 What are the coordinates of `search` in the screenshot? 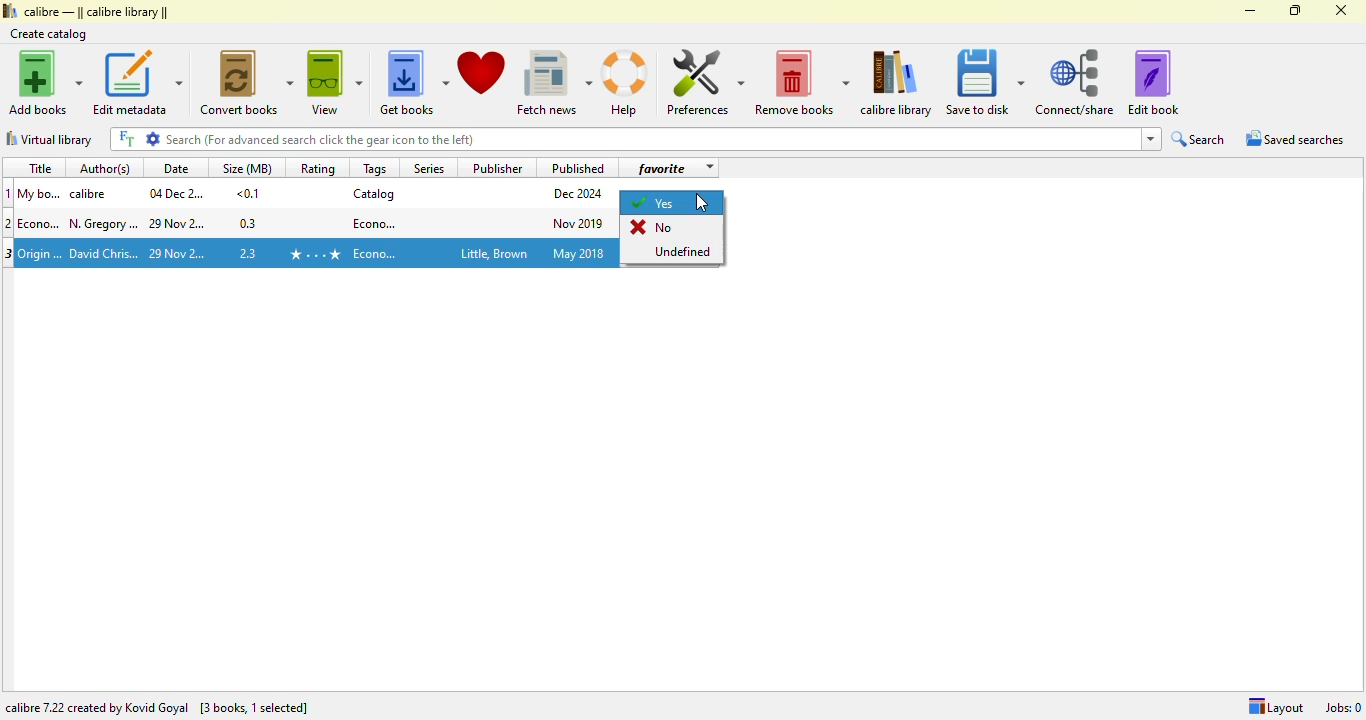 It's located at (650, 139).